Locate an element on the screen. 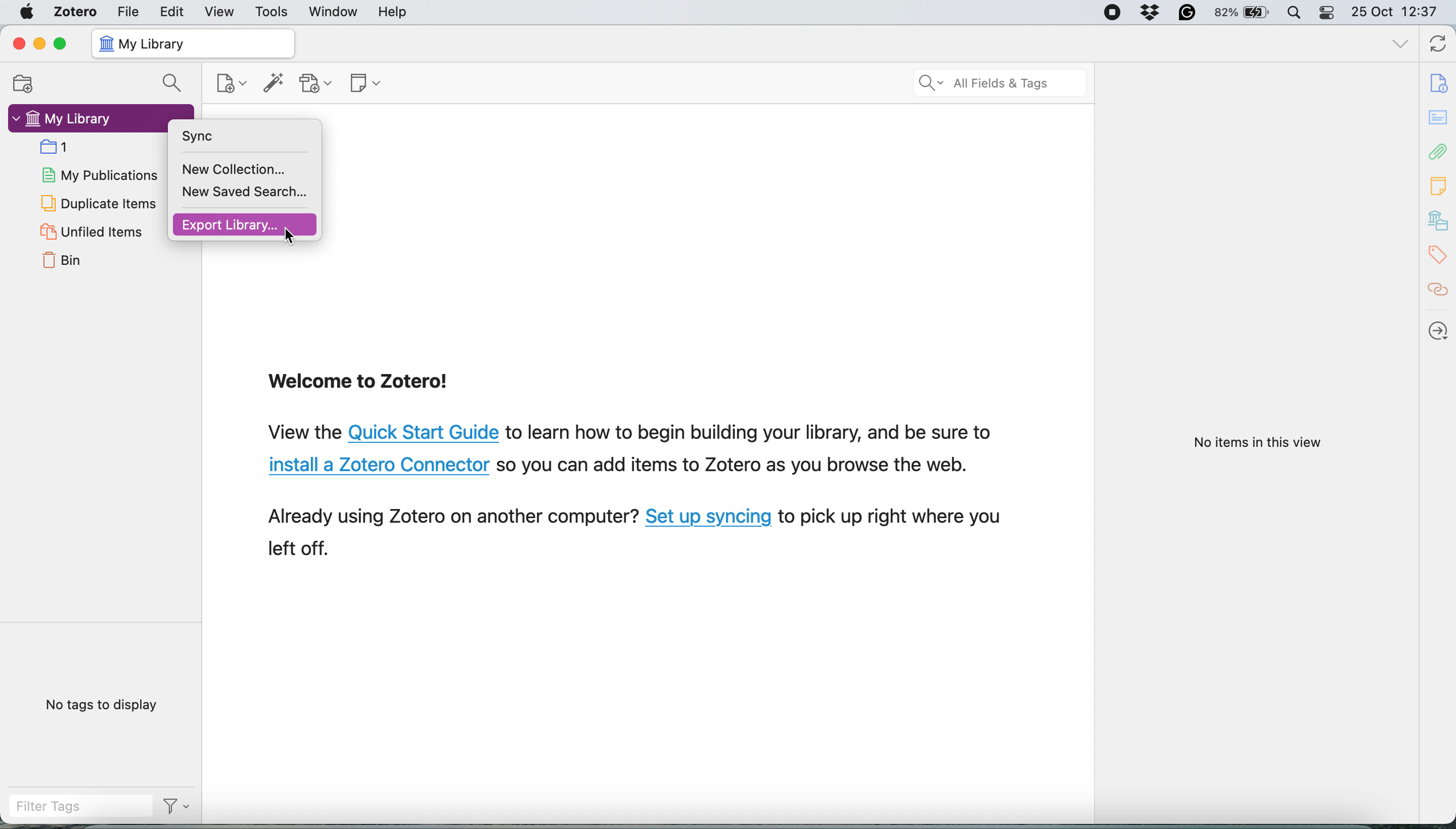  sync with zotero.org is located at coordinates (1437, 44).